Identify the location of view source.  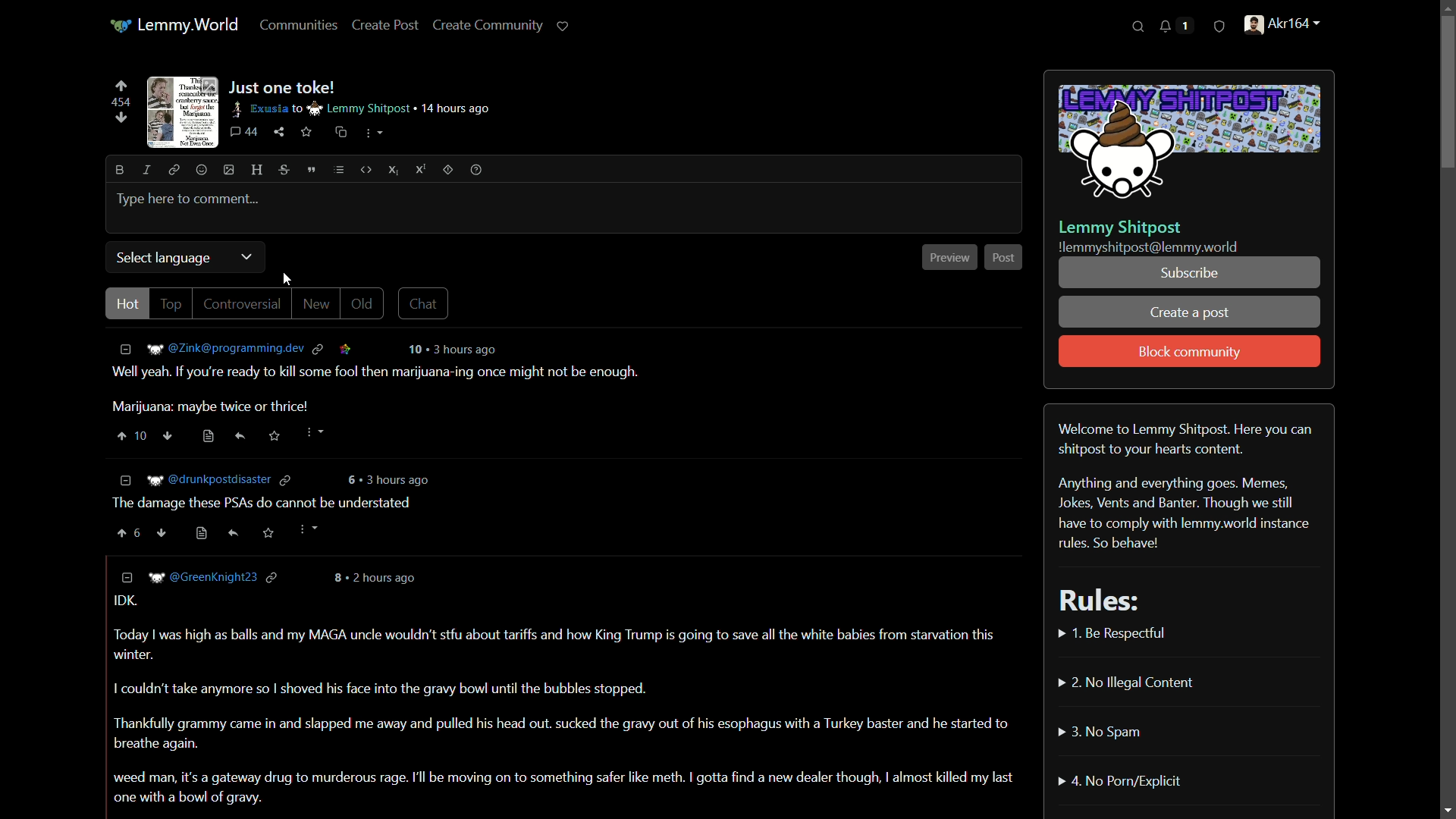
(211, 438).